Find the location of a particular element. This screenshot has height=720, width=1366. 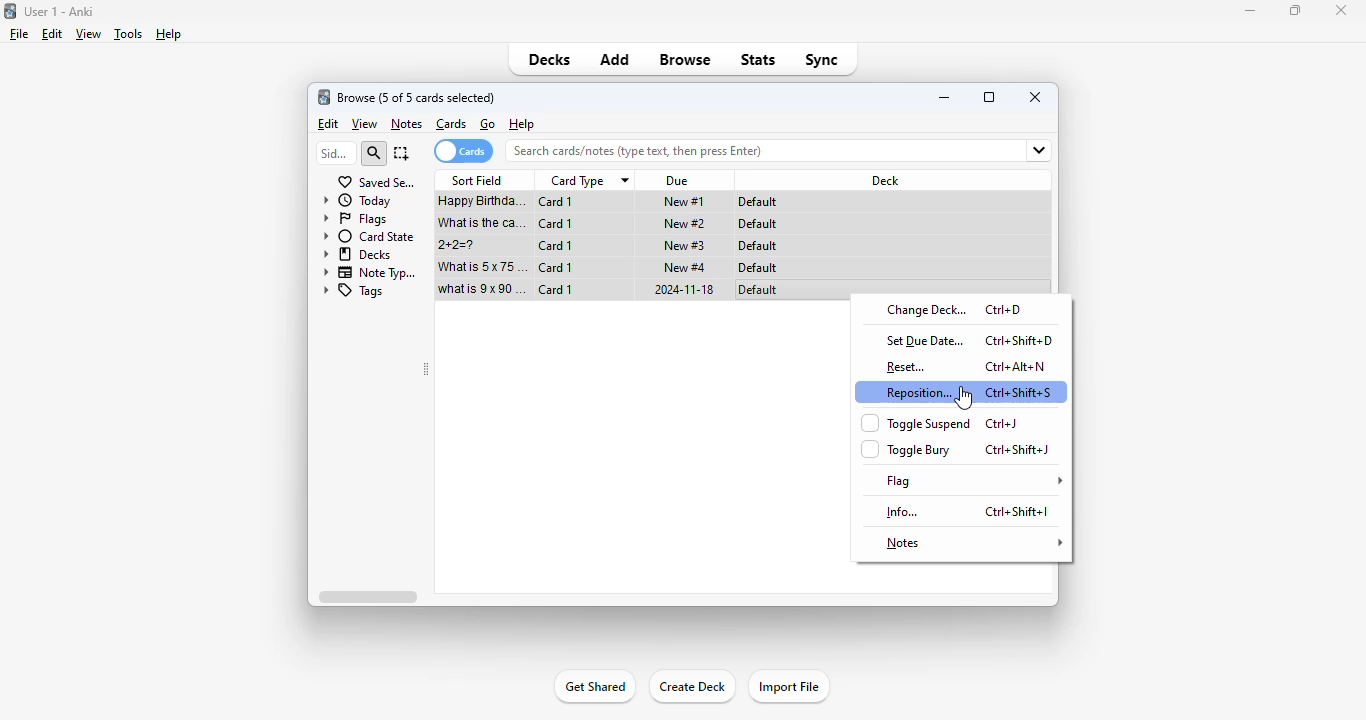

card state is located at coordinates (370, 237).